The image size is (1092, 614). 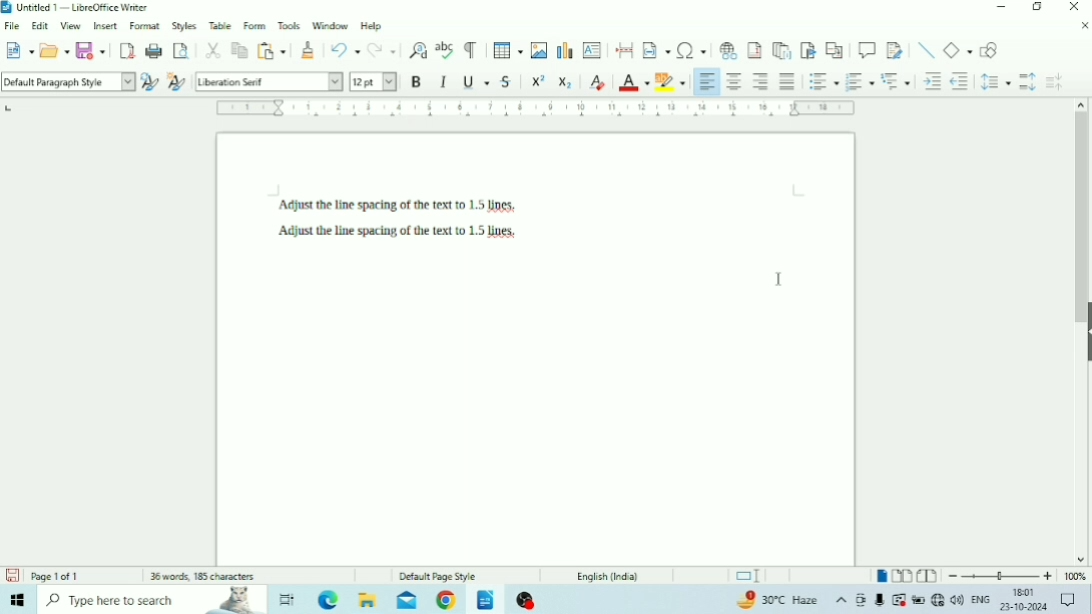 What do you see at coordinates (1085, 328) in the screenshot?
I see `Show` at bounding box center [1085, 328].